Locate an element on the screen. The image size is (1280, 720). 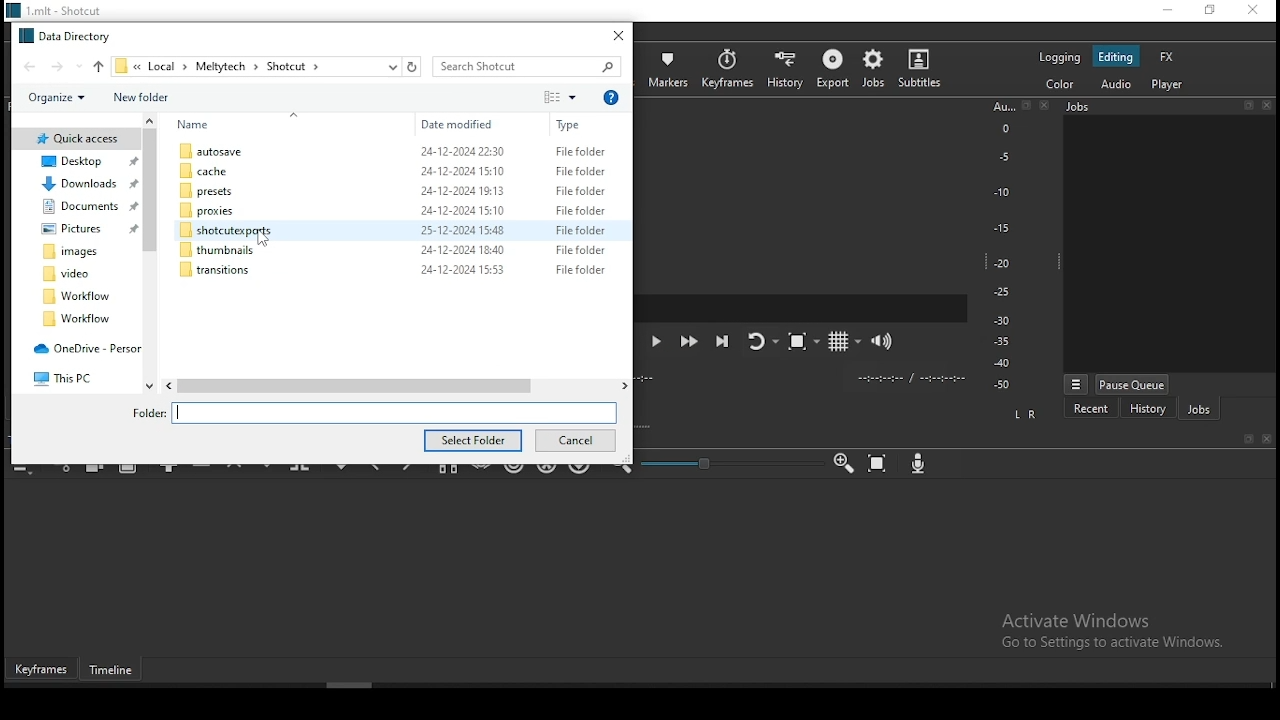
local folder is located at coordinates (75, 252).